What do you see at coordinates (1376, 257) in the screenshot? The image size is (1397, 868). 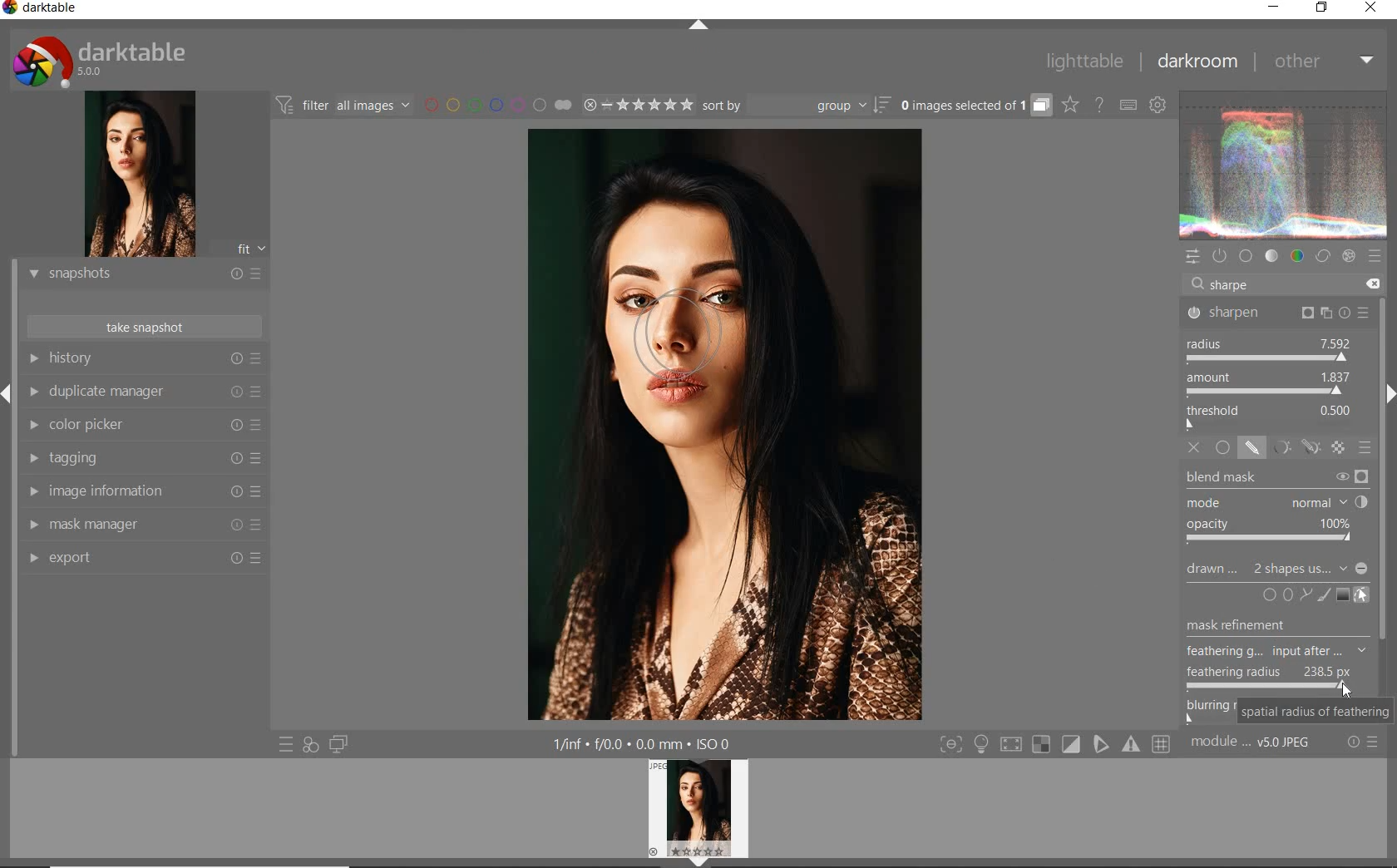 I see `sign ` at bounding box center [1376, 257].